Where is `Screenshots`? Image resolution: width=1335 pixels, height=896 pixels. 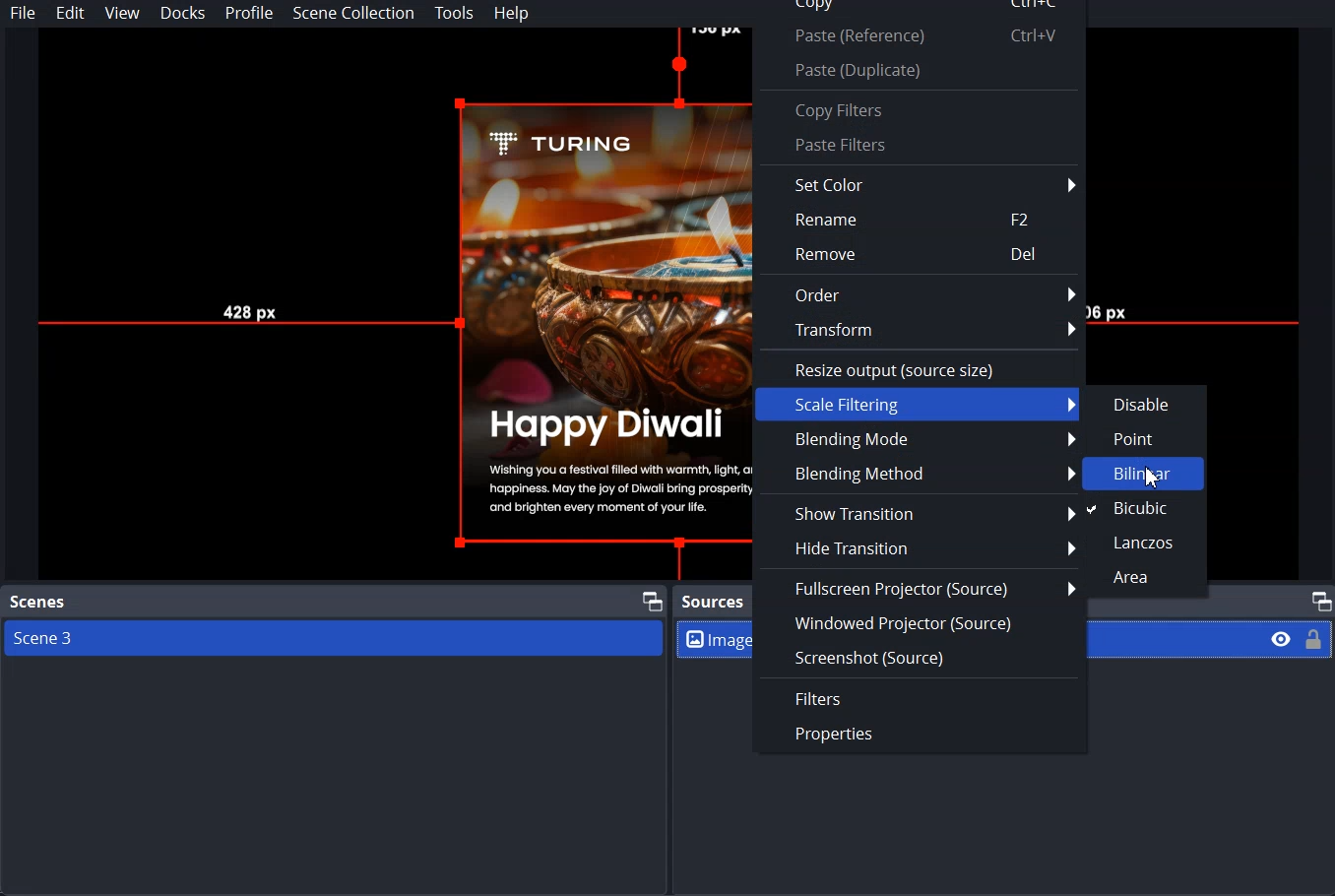 Screenshots is located at coordinates (920, 656).